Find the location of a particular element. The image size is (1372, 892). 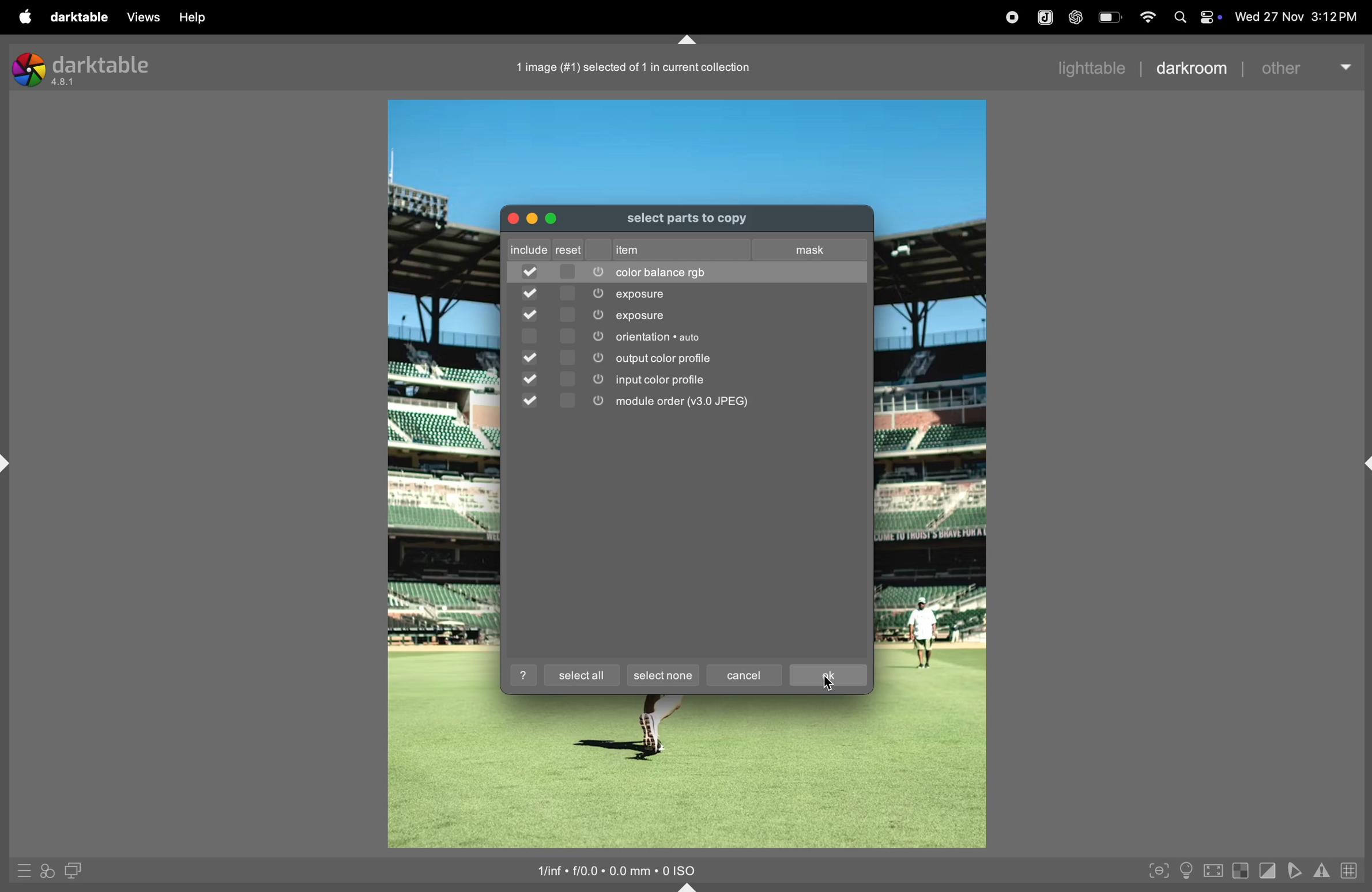

other is located at coordinates (1307, 67).